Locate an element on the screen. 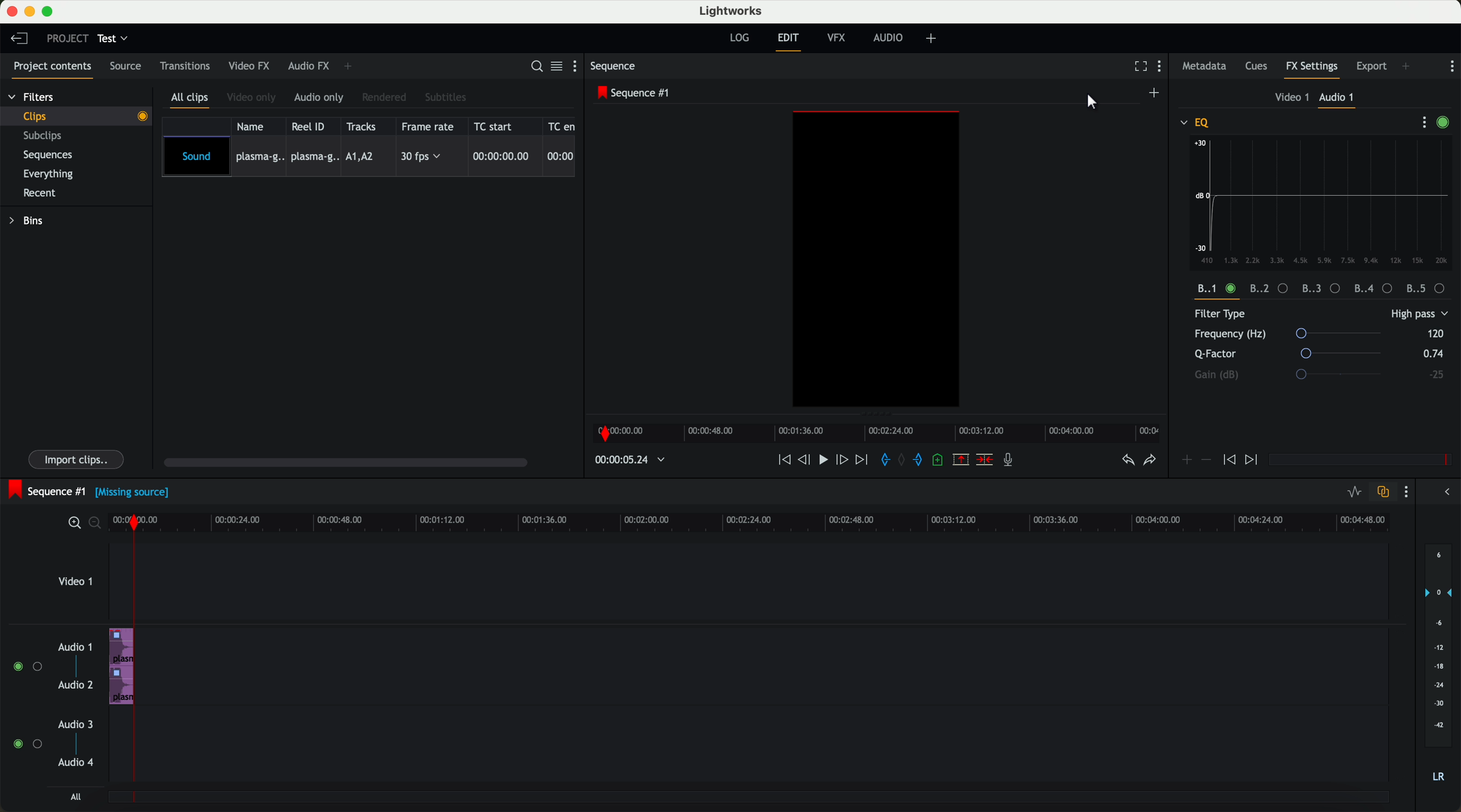 The height and width of the screenshot is (812, 1461). audio 1 is located at coordinates (1338, 99).